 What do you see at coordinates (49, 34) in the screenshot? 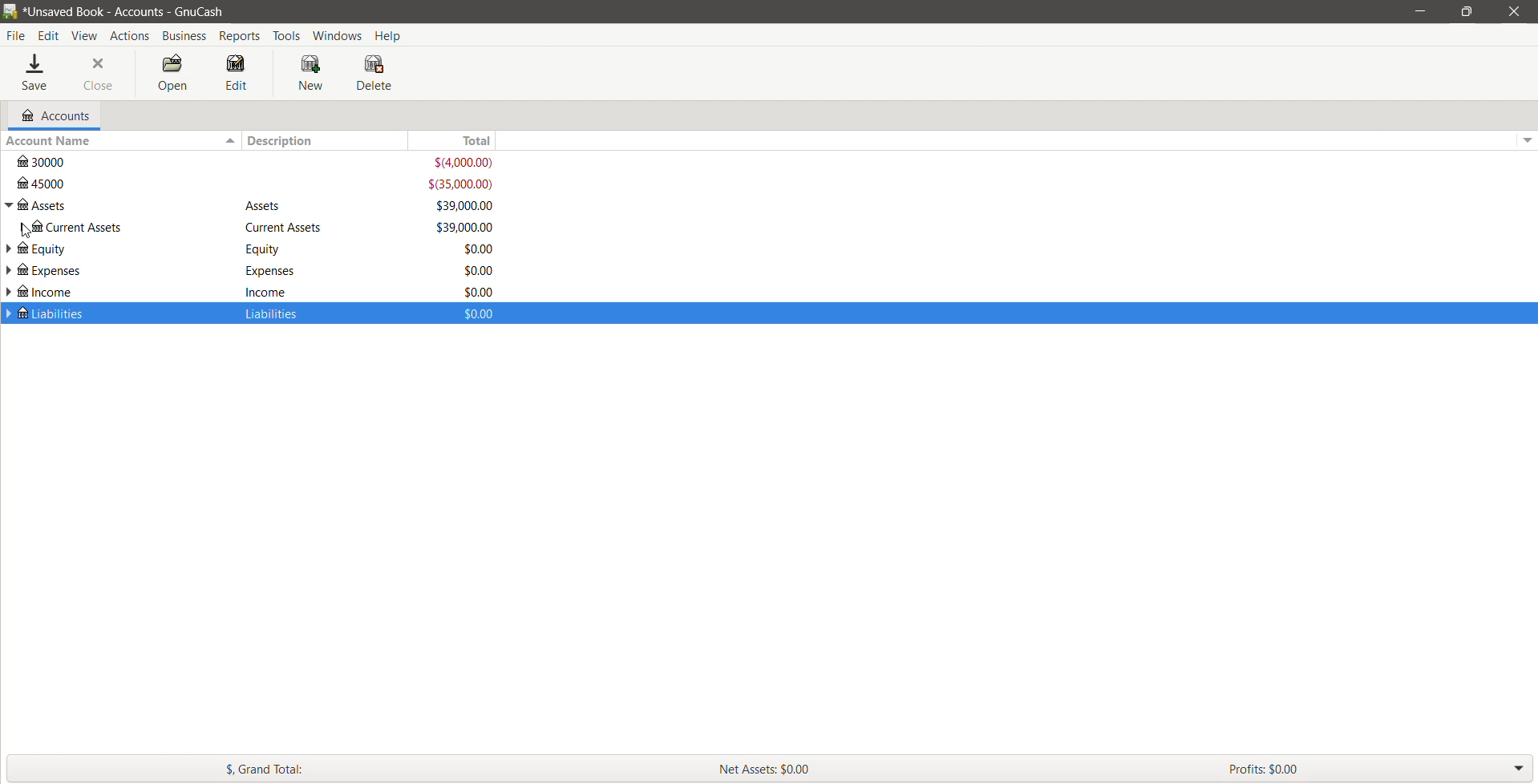
I see `Edit` at bounding box center [49, 34].